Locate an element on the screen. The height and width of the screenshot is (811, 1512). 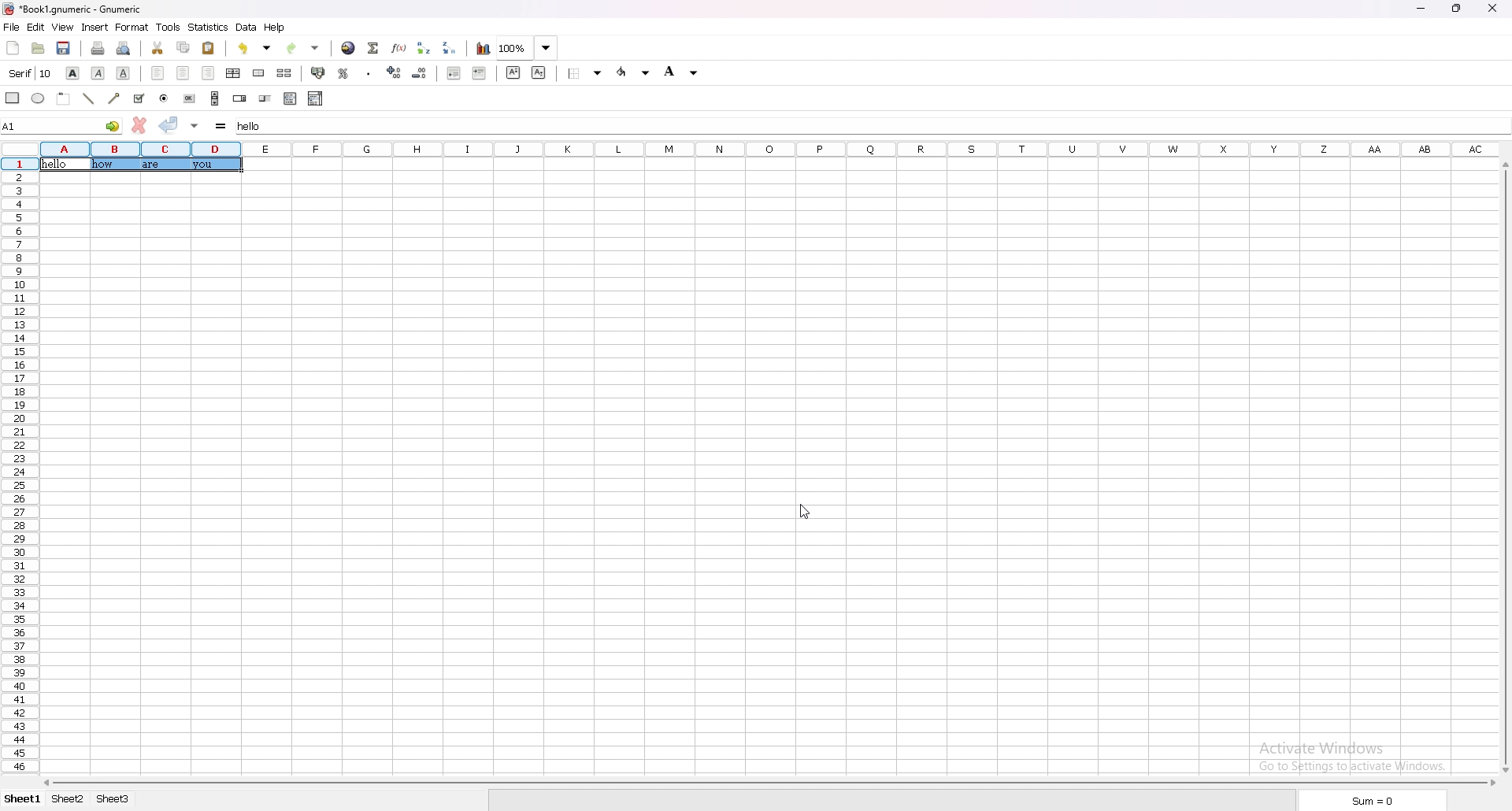
selected cell is located at coordinates (61, 125).